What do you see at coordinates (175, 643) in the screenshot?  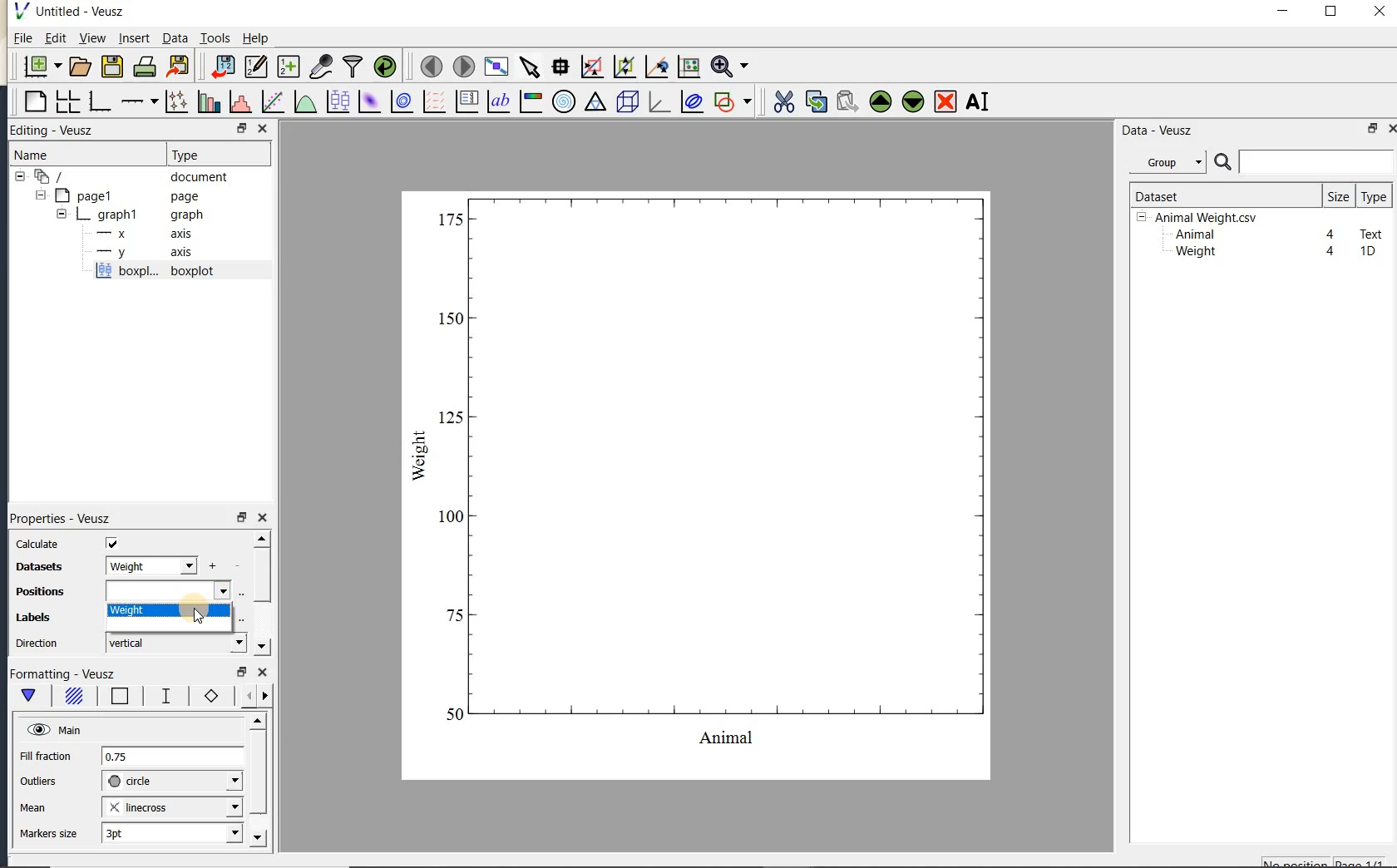 I see `vertical` at bounding box center [175, 643].